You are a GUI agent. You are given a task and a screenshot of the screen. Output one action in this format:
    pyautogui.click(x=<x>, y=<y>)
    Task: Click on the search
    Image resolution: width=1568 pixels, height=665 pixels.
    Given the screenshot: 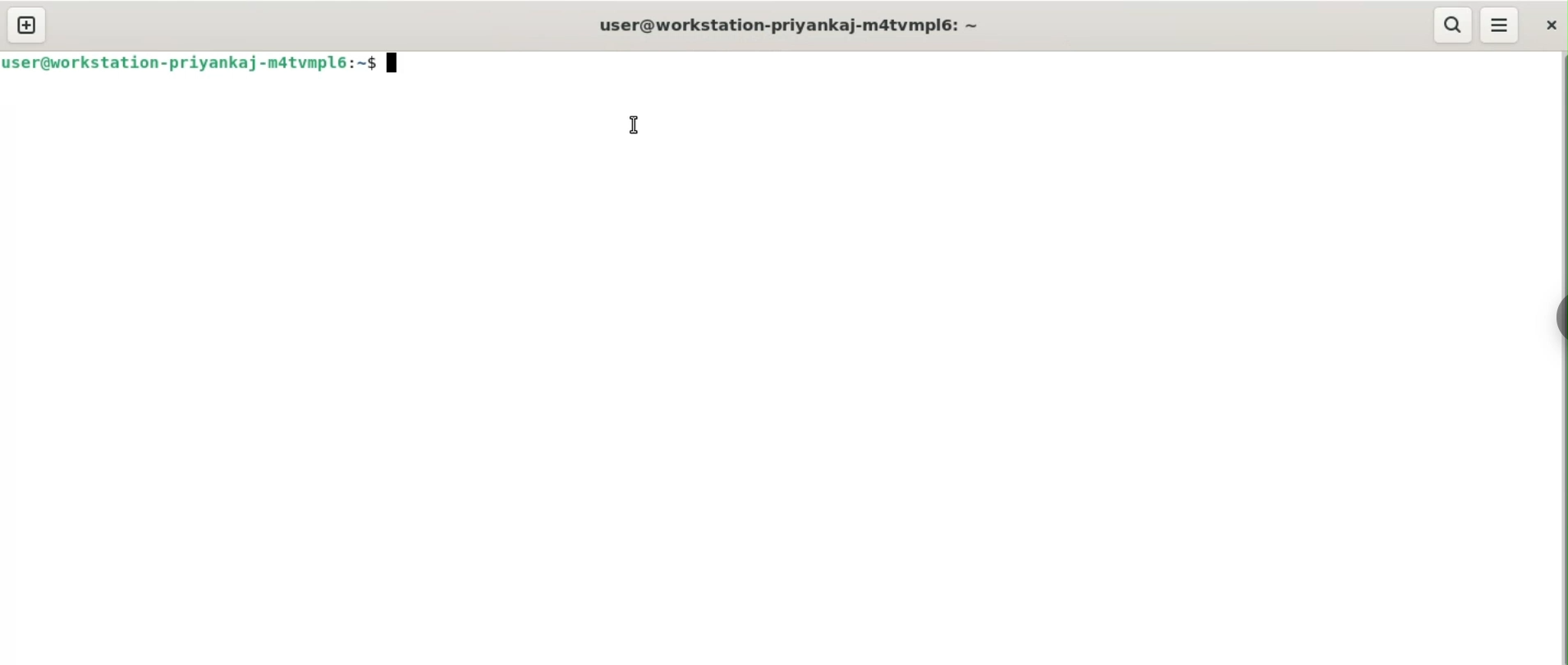 What is the action you would take?
    pyautogui.click(x=1455, y=25)
    